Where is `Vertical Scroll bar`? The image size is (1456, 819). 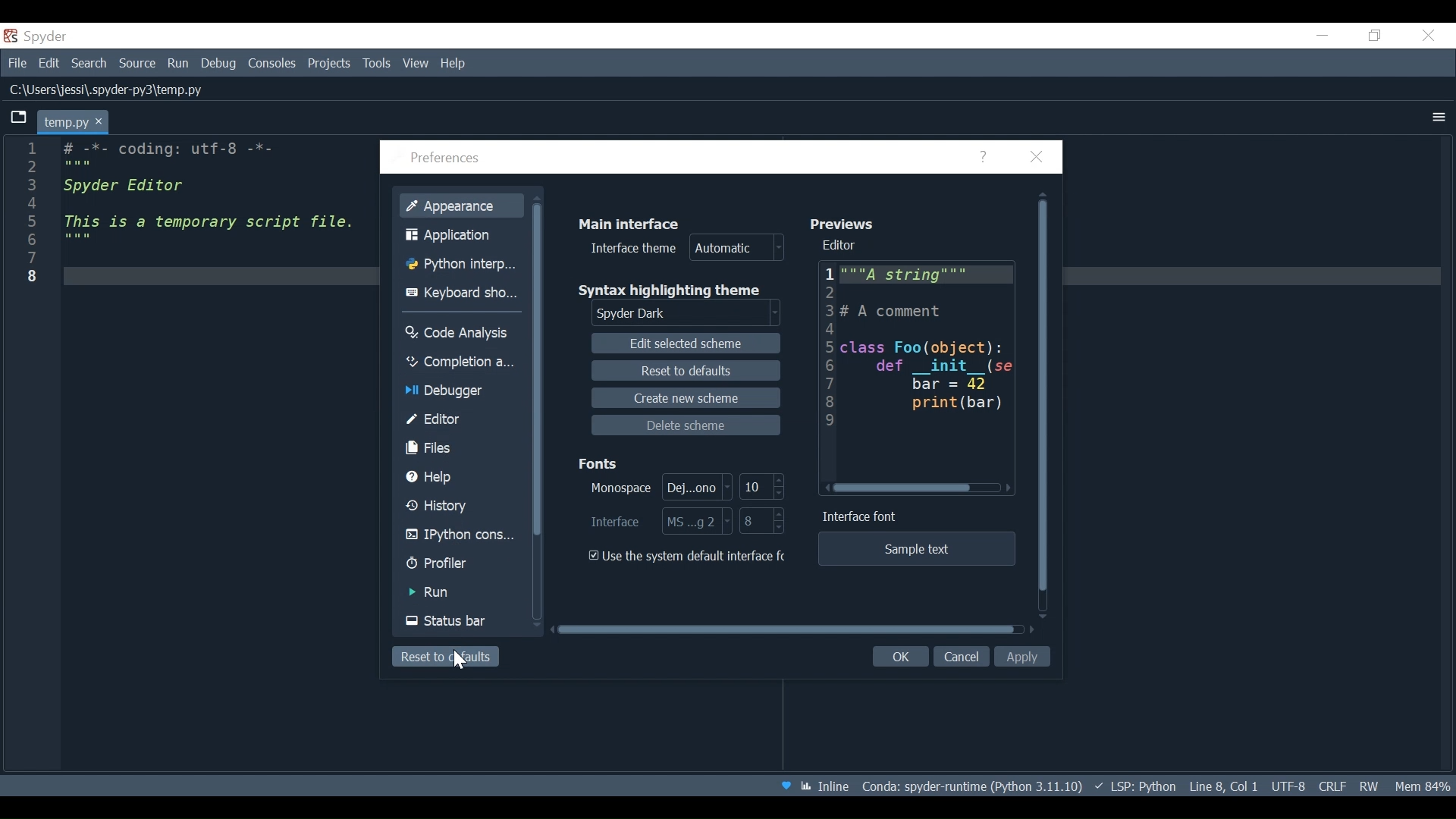 Vertical Scroll bar is located at coordinates (1045, 403).